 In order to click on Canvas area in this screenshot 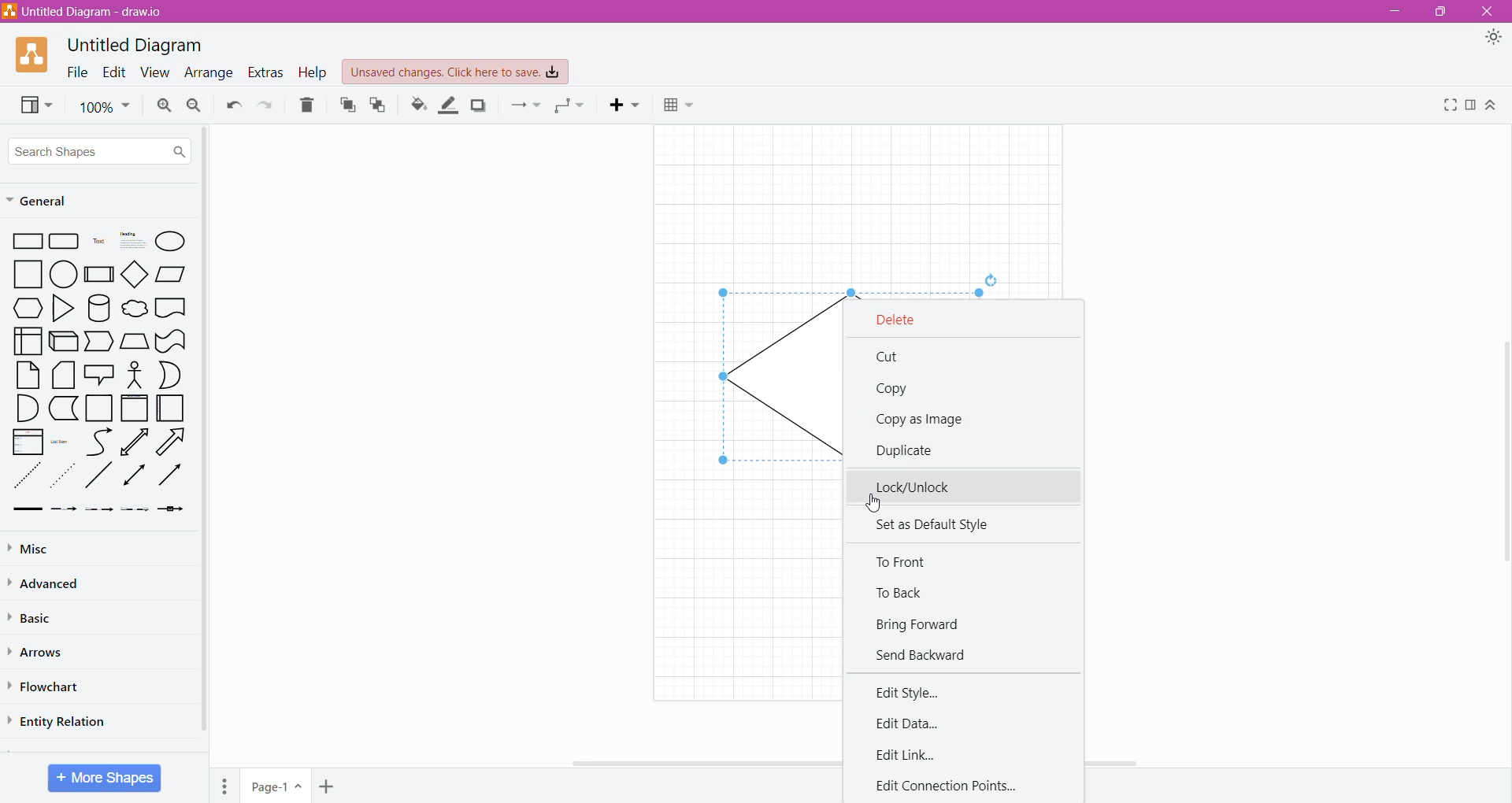, I will do `click(847, 211)`.